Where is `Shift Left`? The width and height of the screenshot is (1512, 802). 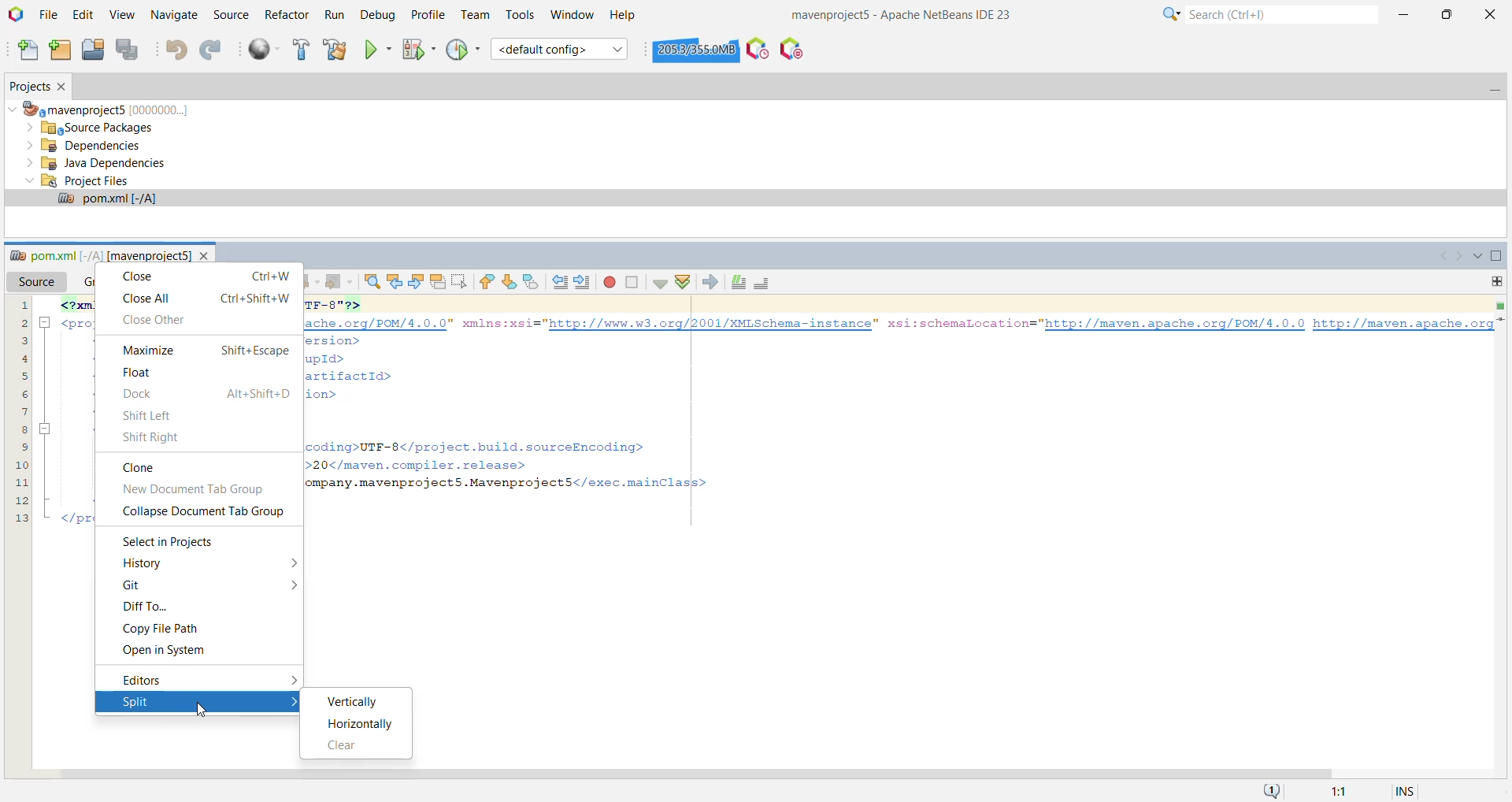 Shift Left is located at coordinates (151, 415).